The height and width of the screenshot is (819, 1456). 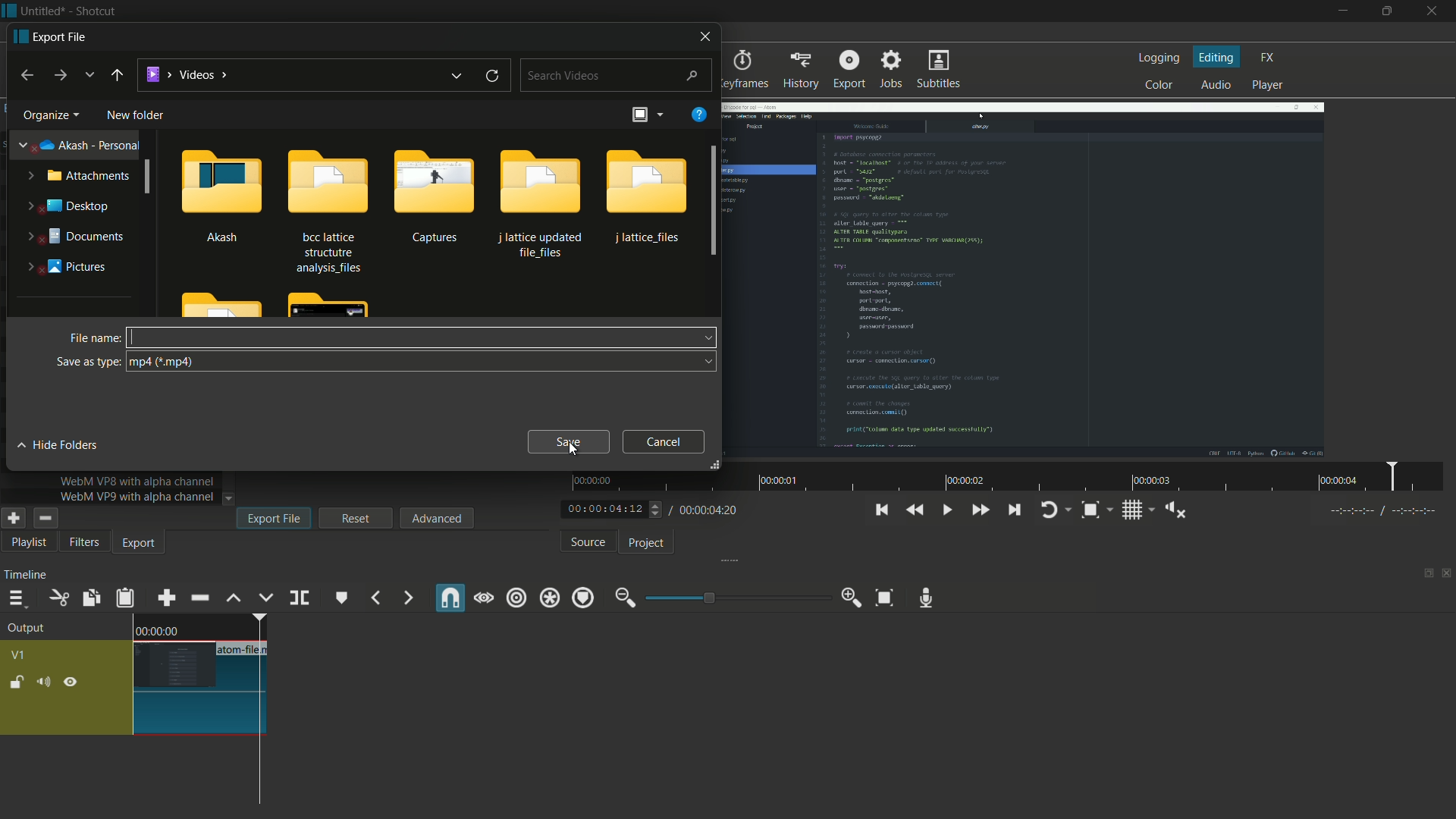 I want to click on change layout, so click(x=1423, y=574).